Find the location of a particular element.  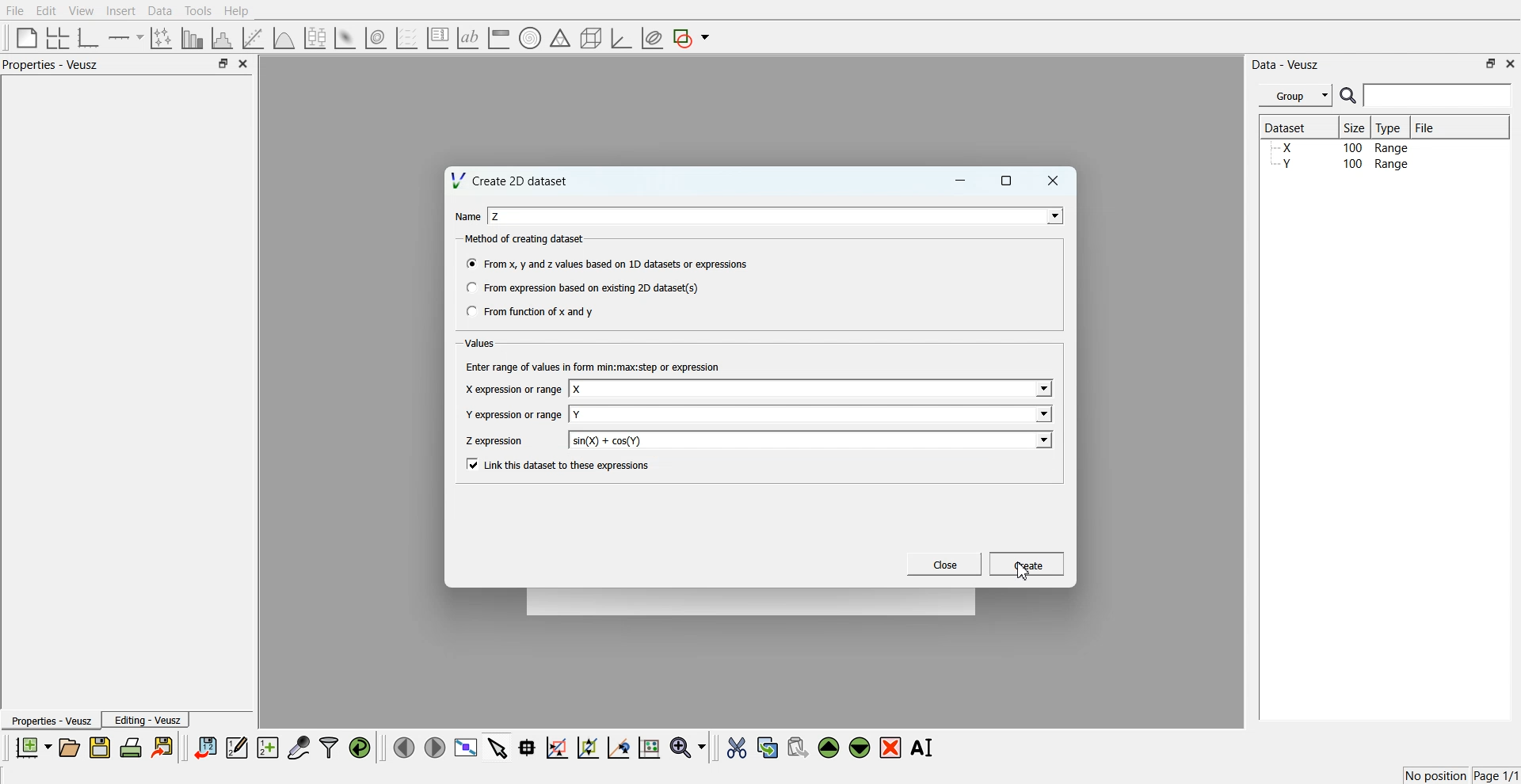

Data - Veusz is located at coordinates (1285, 65).